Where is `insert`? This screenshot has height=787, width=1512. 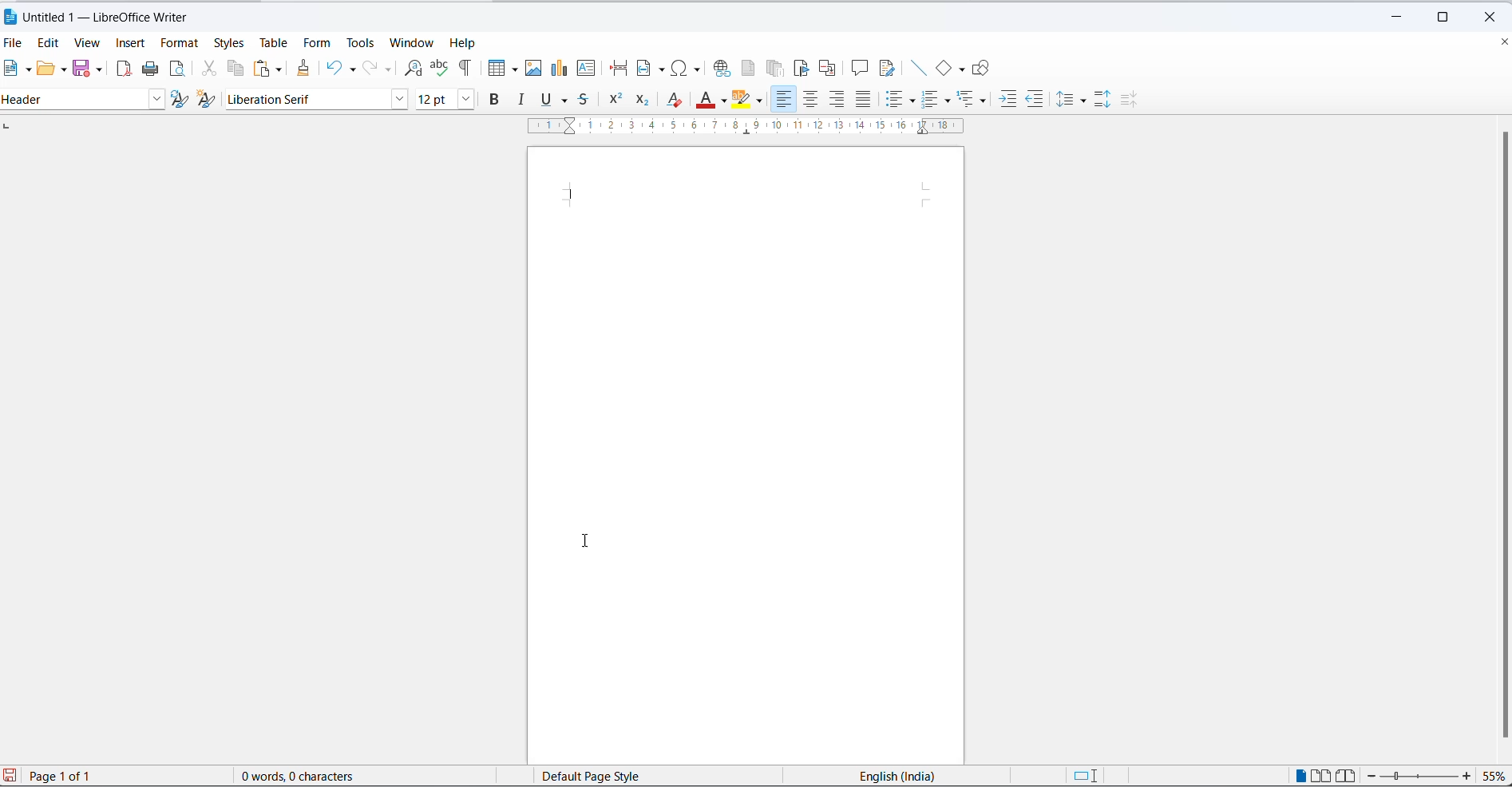
insert is located at coordinates (133, 44).